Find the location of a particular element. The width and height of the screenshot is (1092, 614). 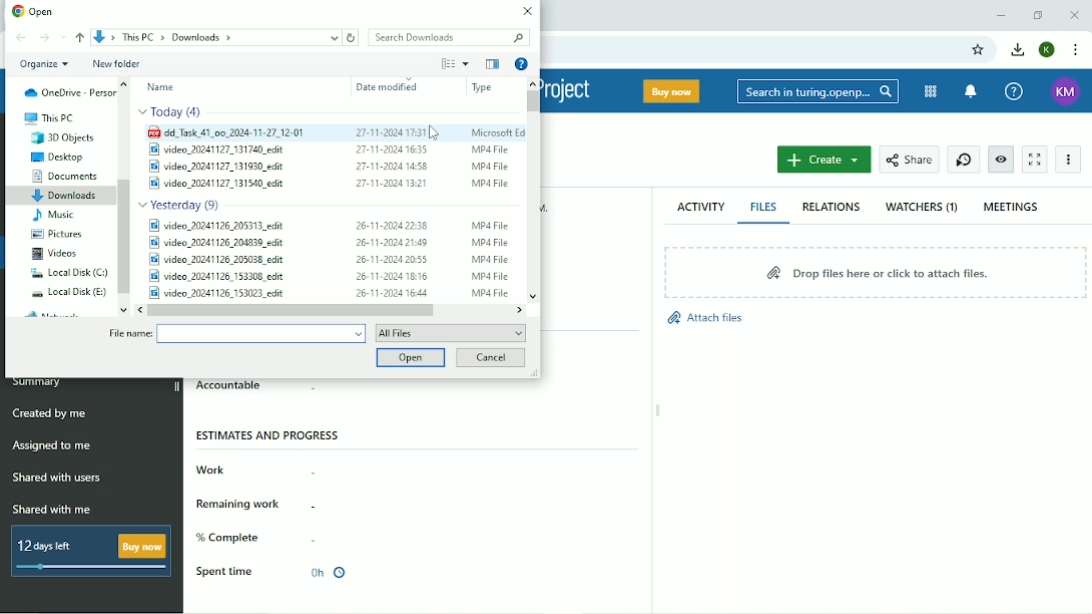

Search is located at coordinates (817, 90).